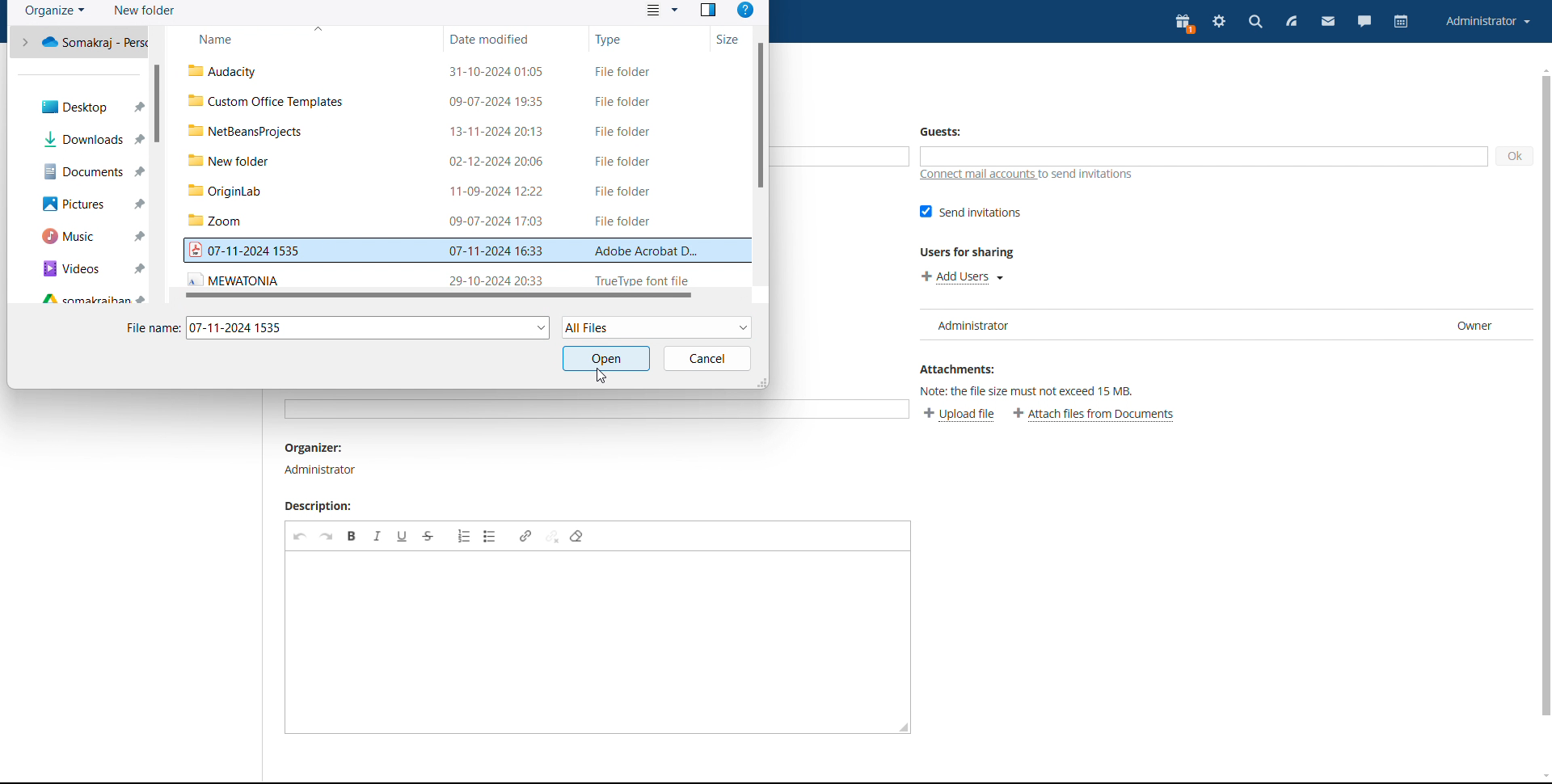 This screenshot has height=784, width=1552. What do you see at coordinates (1183, 23) in the screenshot?
I see `present` at bounding box center [1183, 23].